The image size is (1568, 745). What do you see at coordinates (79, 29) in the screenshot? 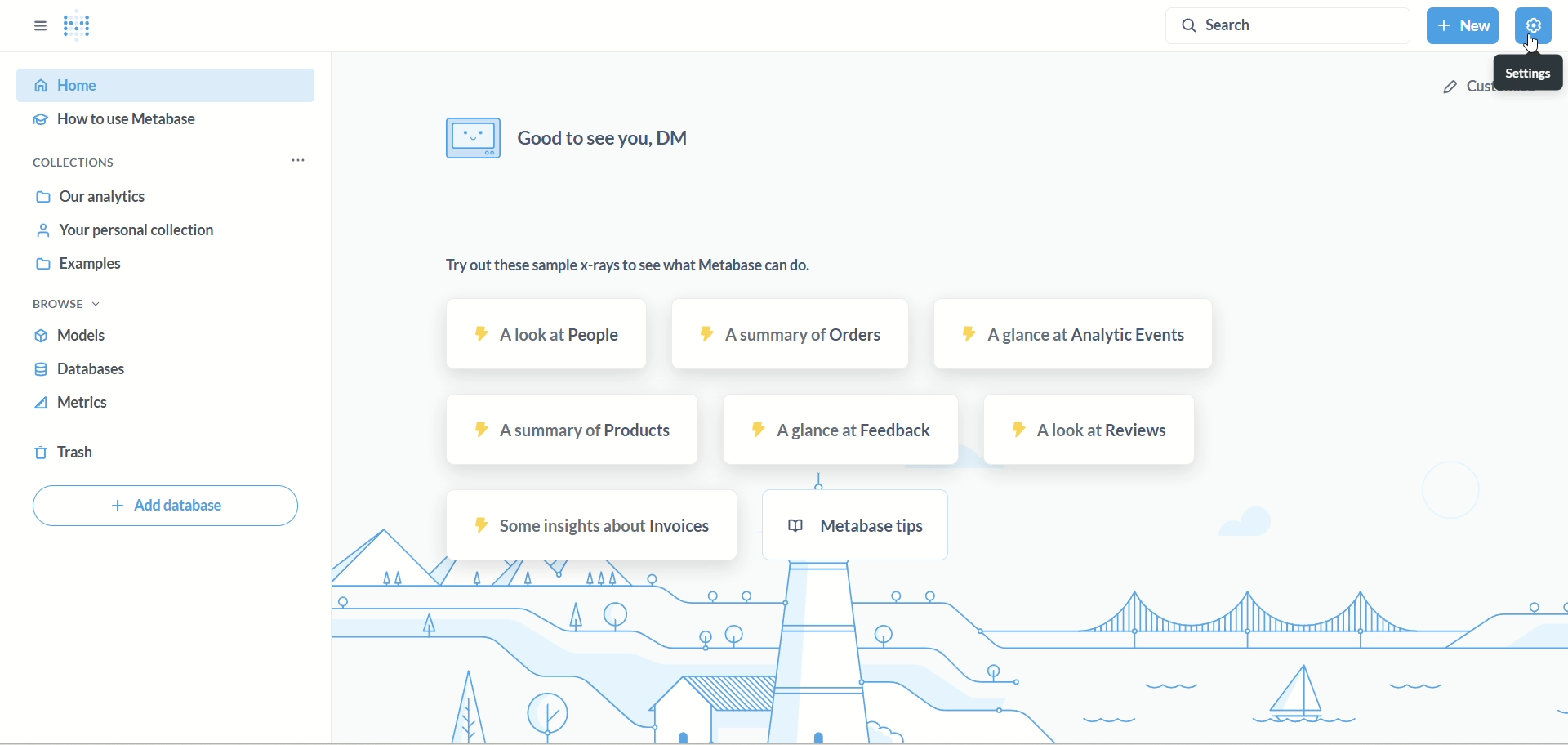
I see `logo` at bounding box center [79, 29].